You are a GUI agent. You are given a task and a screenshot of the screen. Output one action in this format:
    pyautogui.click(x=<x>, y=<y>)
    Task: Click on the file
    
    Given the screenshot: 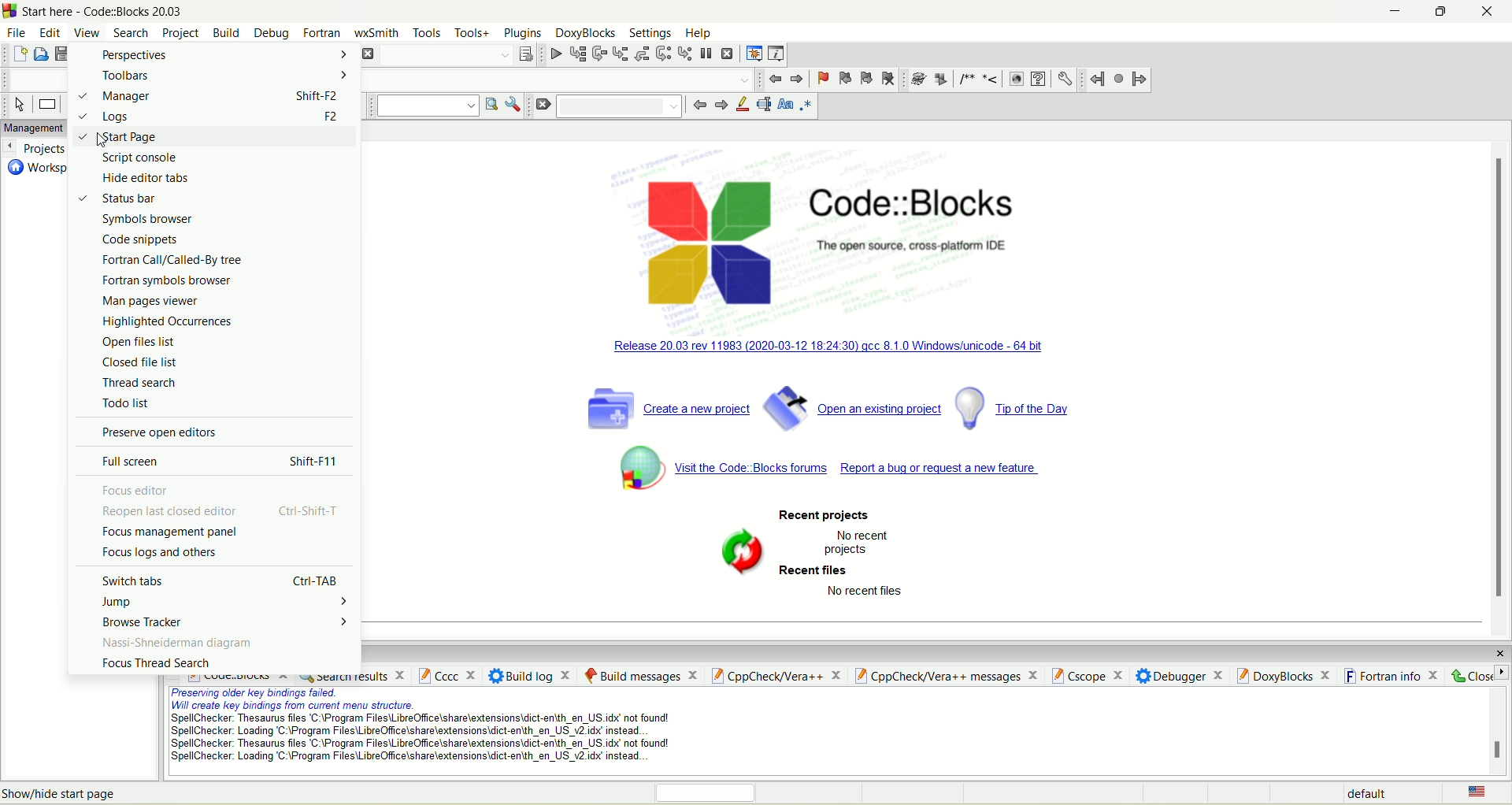 What is the action you would take?
    pyautogui.click(x=15, y=32)
    